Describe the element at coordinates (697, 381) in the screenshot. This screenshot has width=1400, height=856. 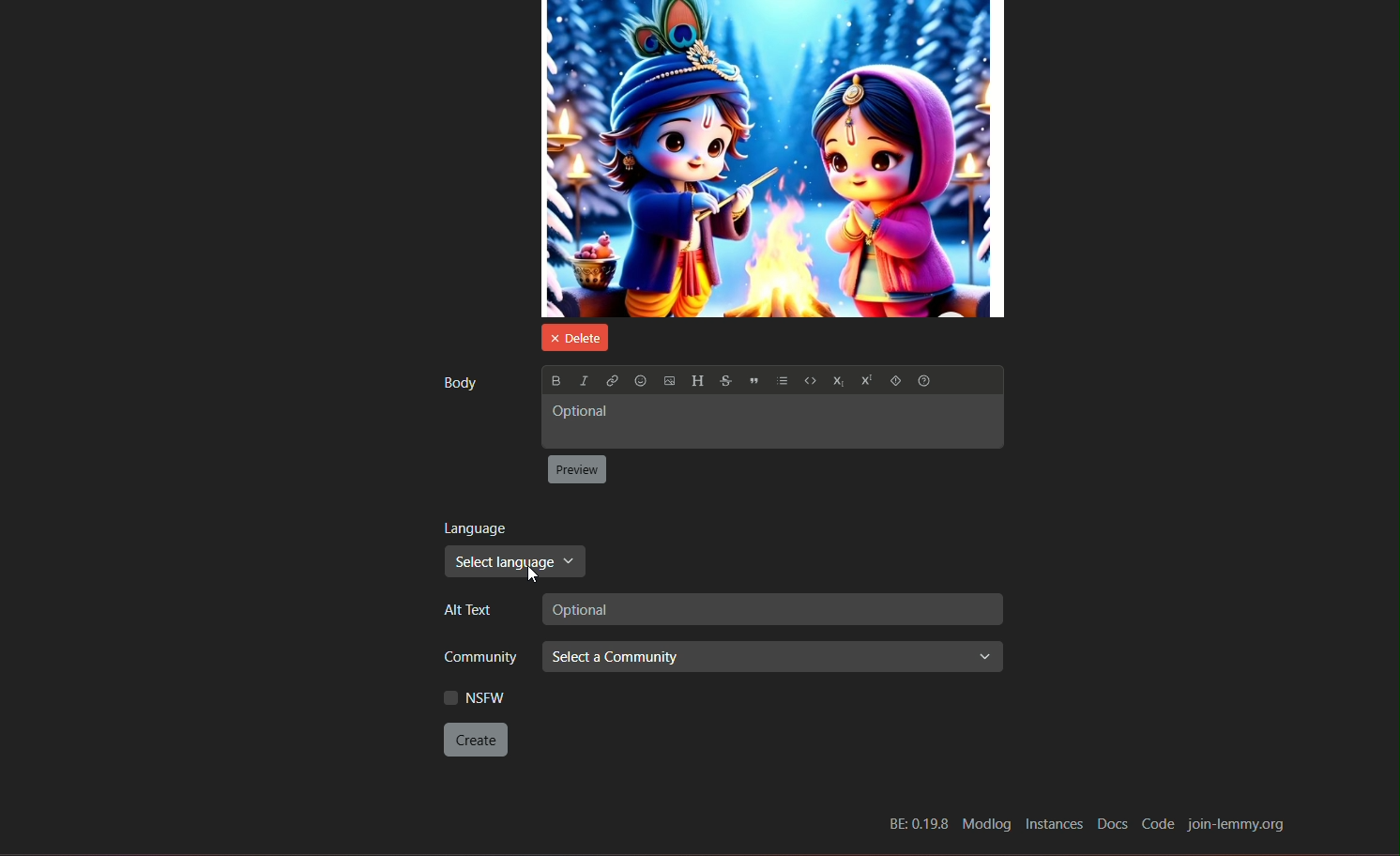
I see `header` at that location.